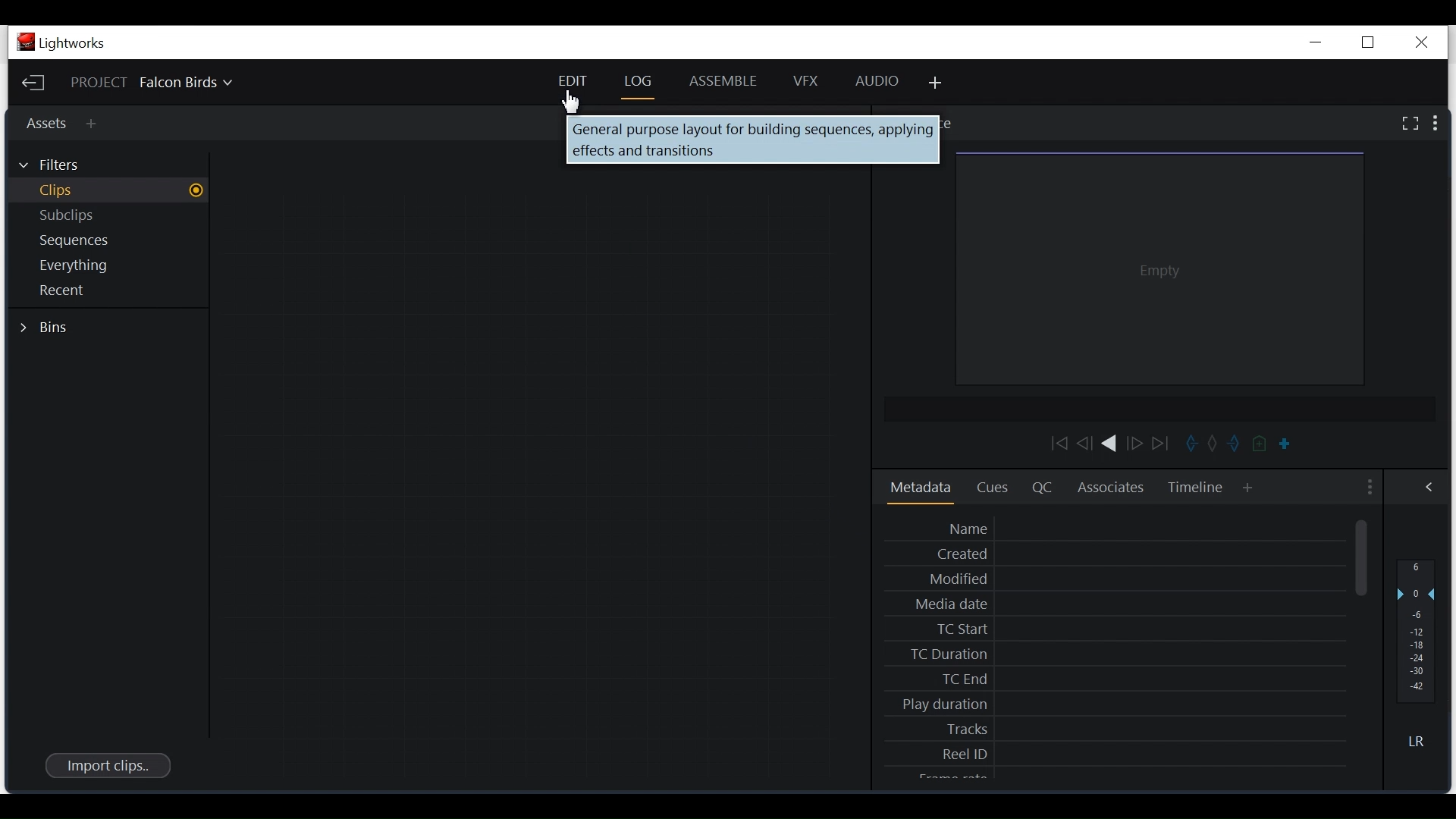 This screenshot has width=1456, height=819. Describe the element at coordinates (1123, 529) in the screenshot. I see `Name` at that location.